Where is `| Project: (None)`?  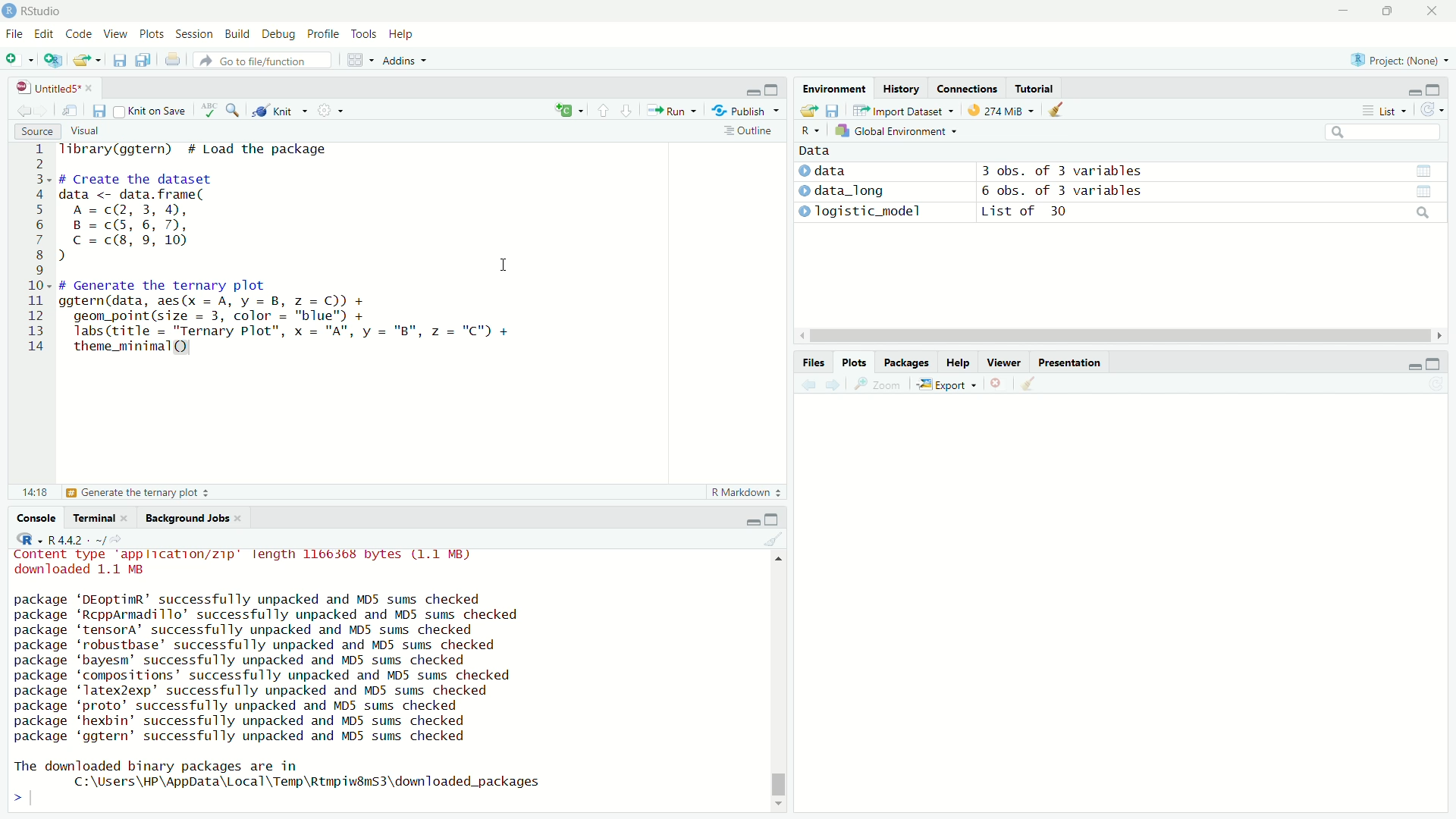
| Project: (None) is located at coordinates (1392, 60).